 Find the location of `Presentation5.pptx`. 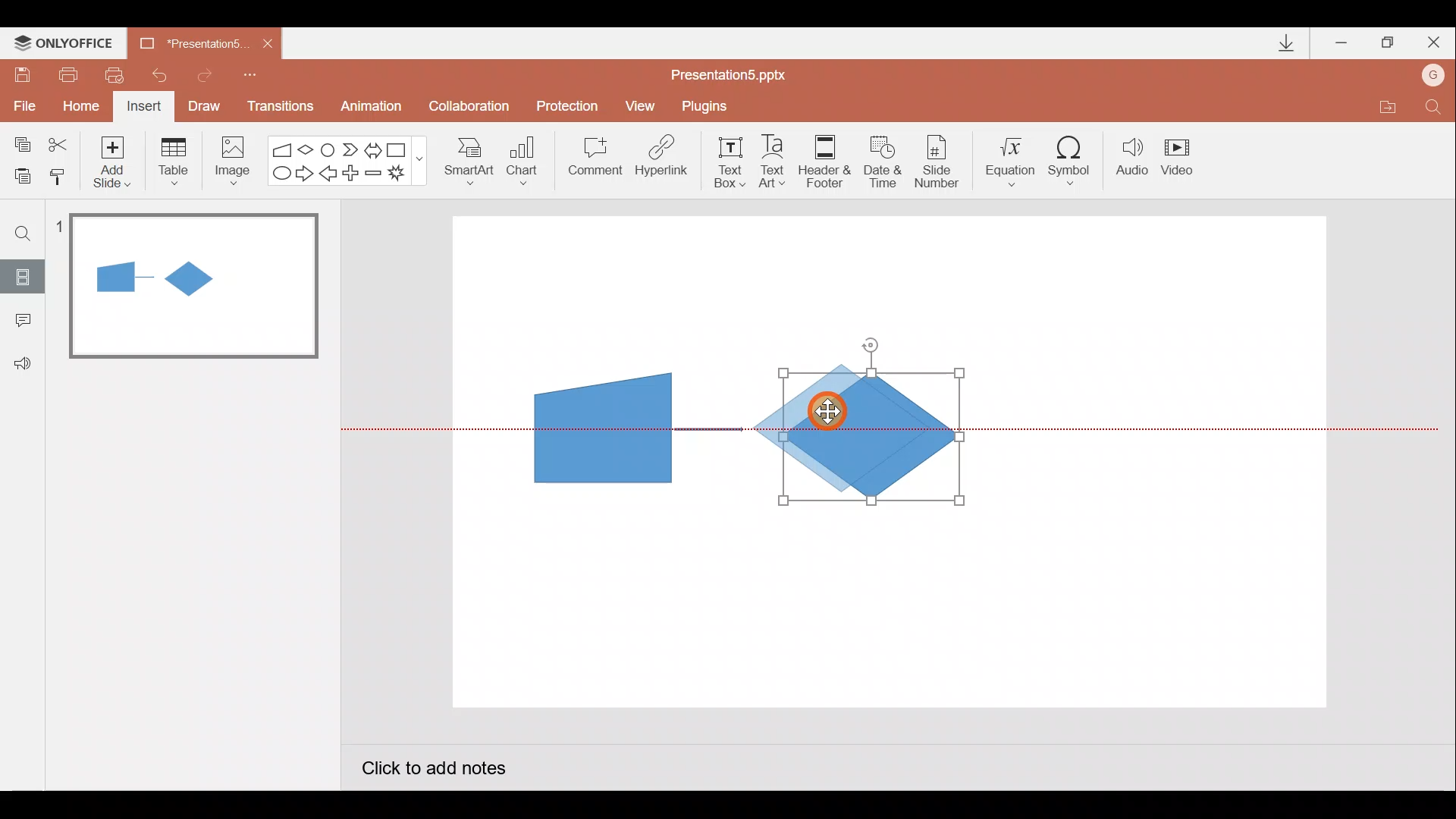

Presentation5.pptx is located at coordinates (739, 71).